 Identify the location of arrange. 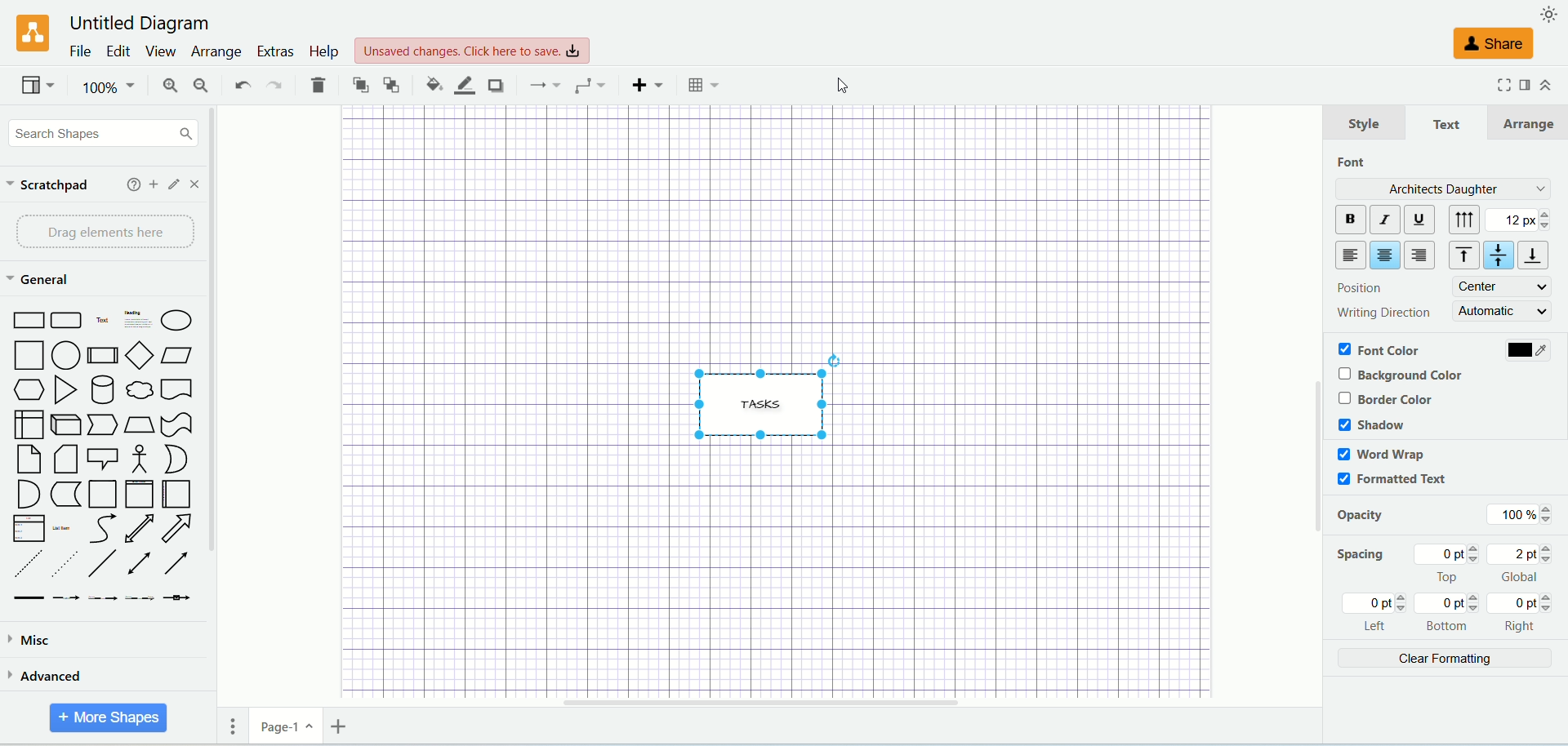
(1530, 121).